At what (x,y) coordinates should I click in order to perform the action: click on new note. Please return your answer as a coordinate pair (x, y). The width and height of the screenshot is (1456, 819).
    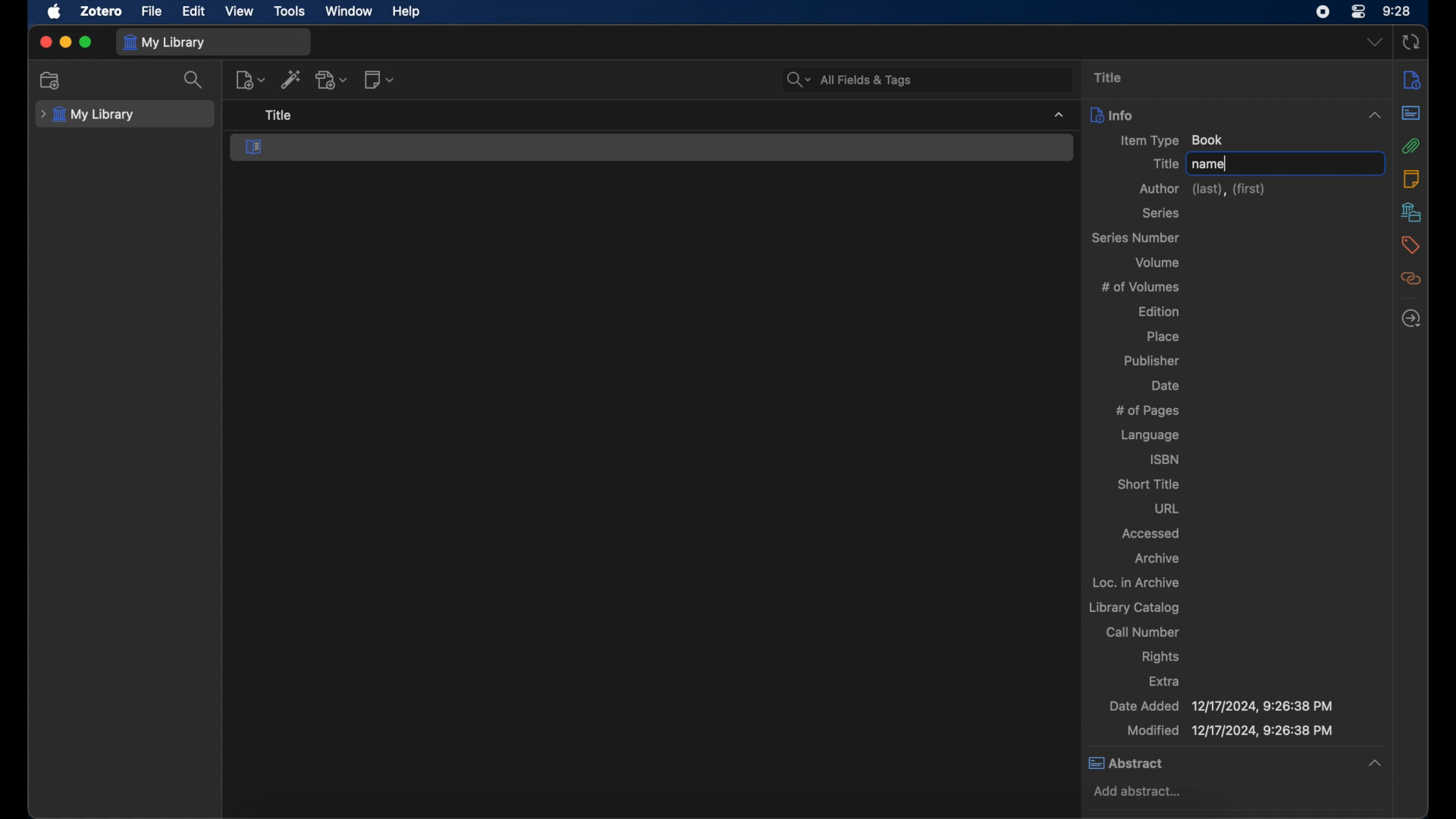
    Looking at the image, I should click on (379, 80).